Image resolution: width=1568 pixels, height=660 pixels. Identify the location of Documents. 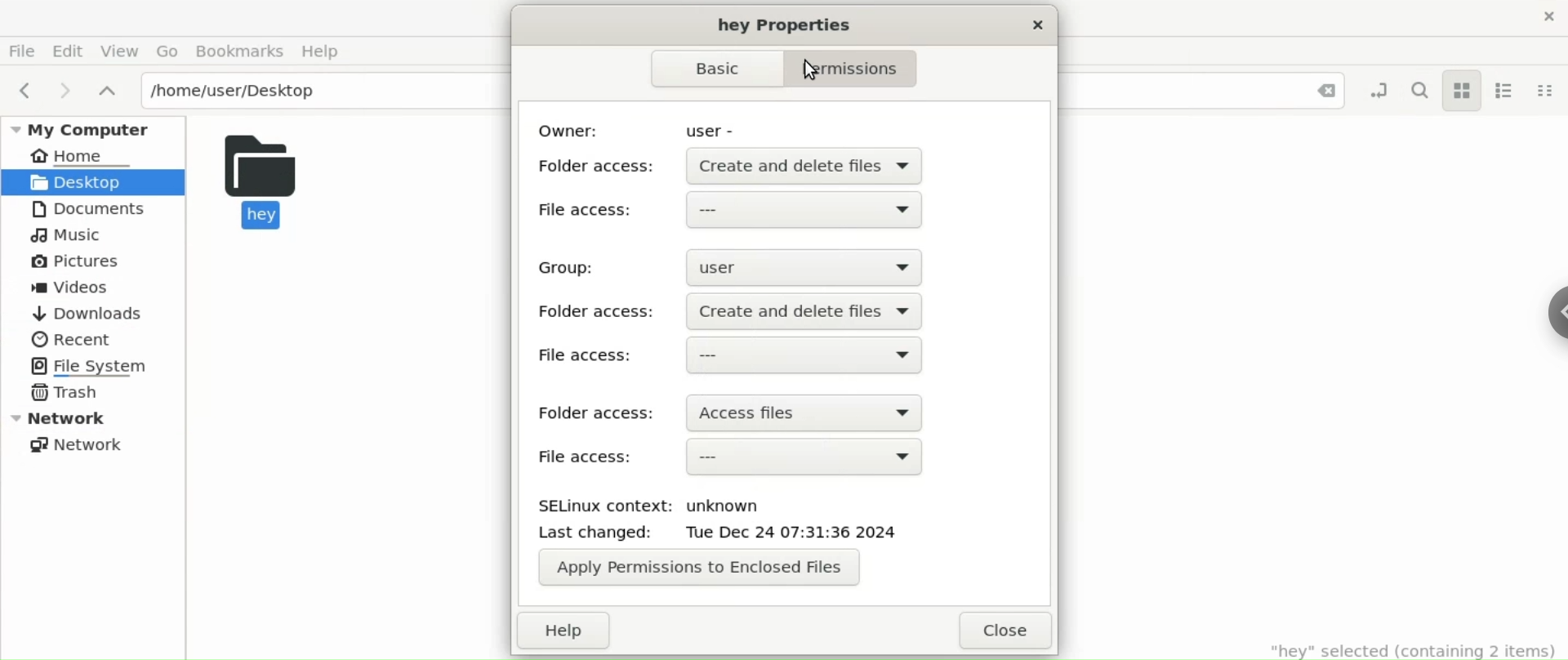
(86, 210).